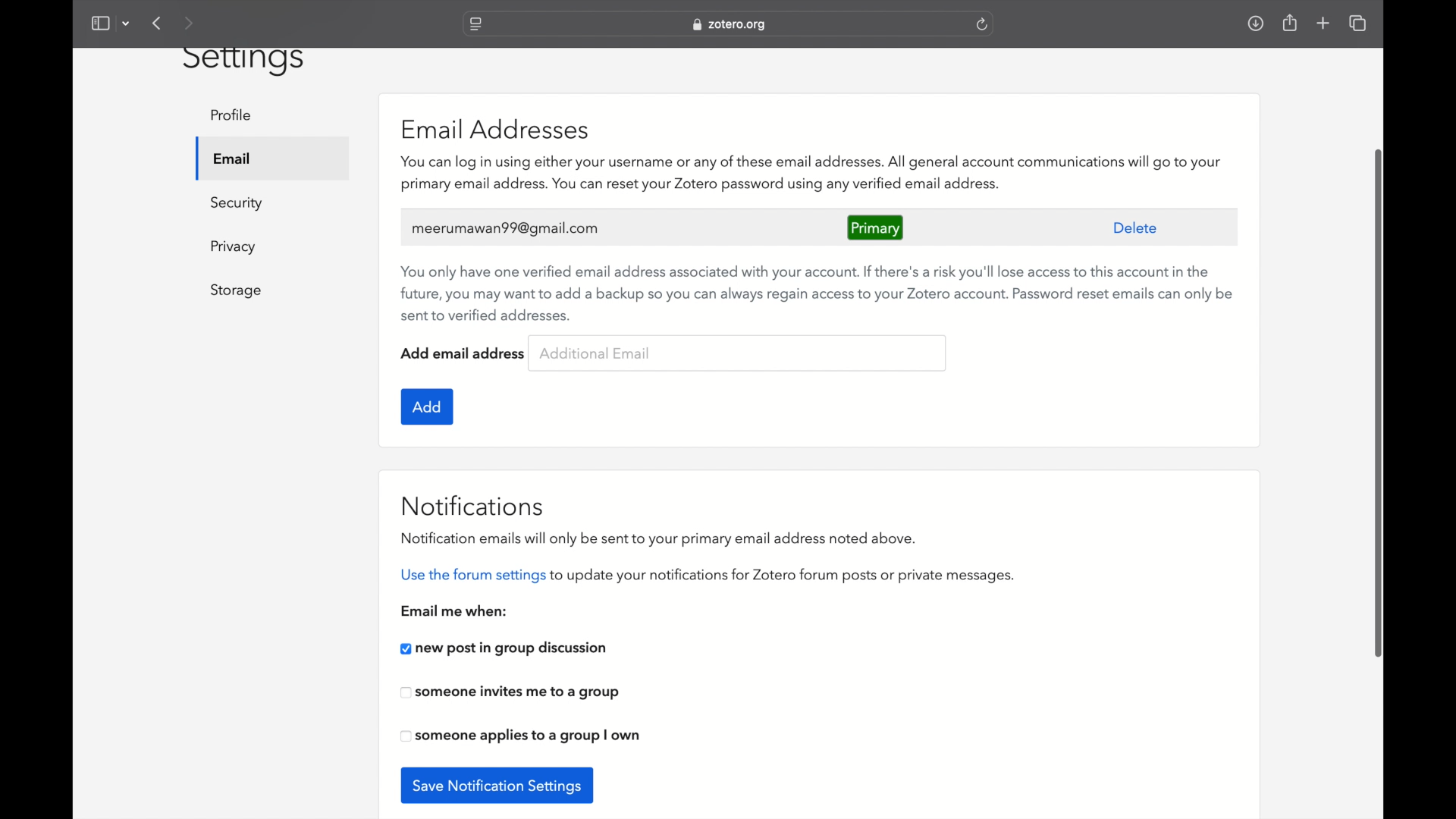 This screenshot has height=819, width=1456. What do you see at coordinates (874, 227) in the screenshot?
I see `primary` at bounding box center [874, 227].